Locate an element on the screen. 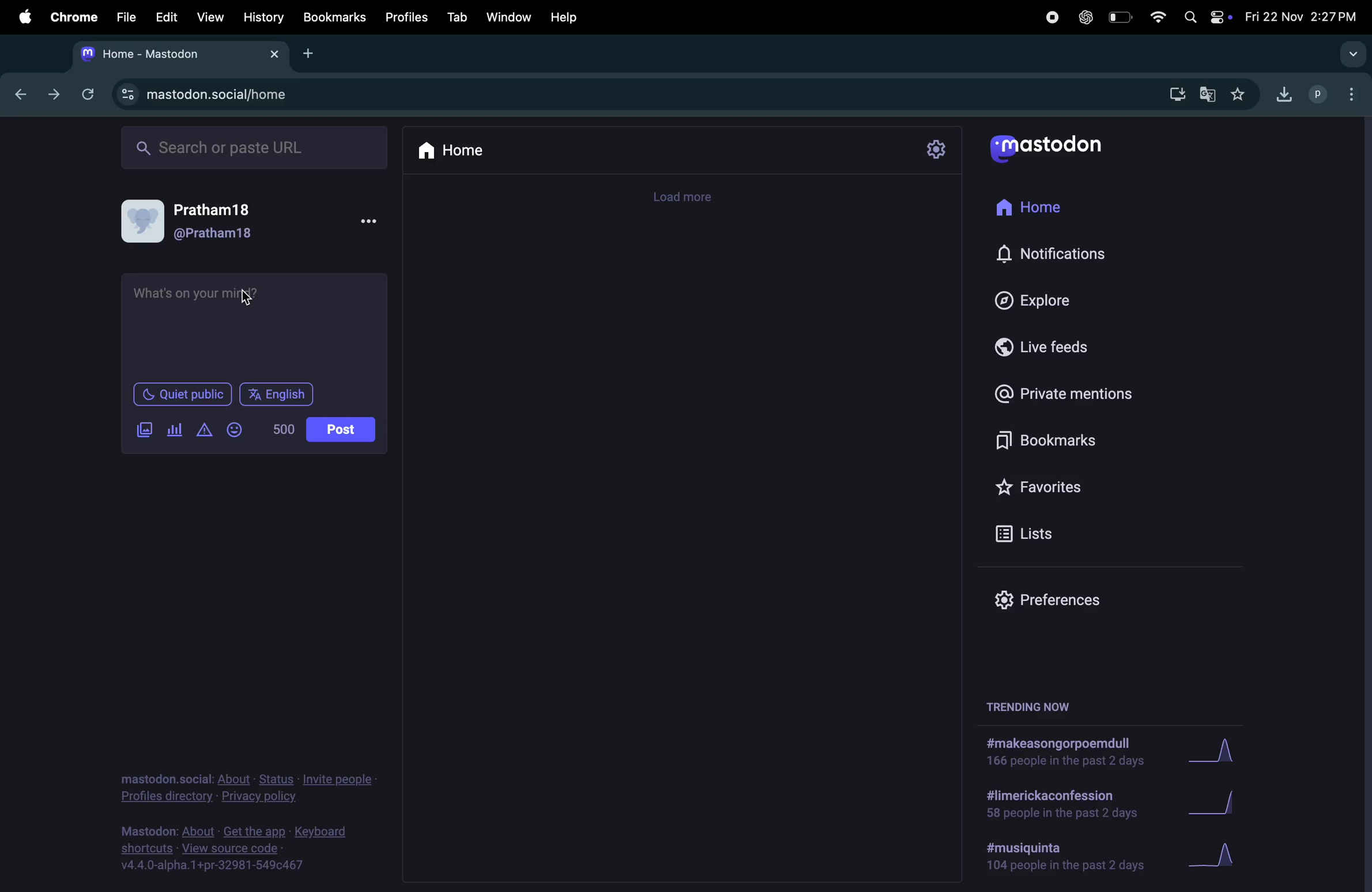 This screenshot has height=892, width=1372. explore is located at coordinates (1078, 300).